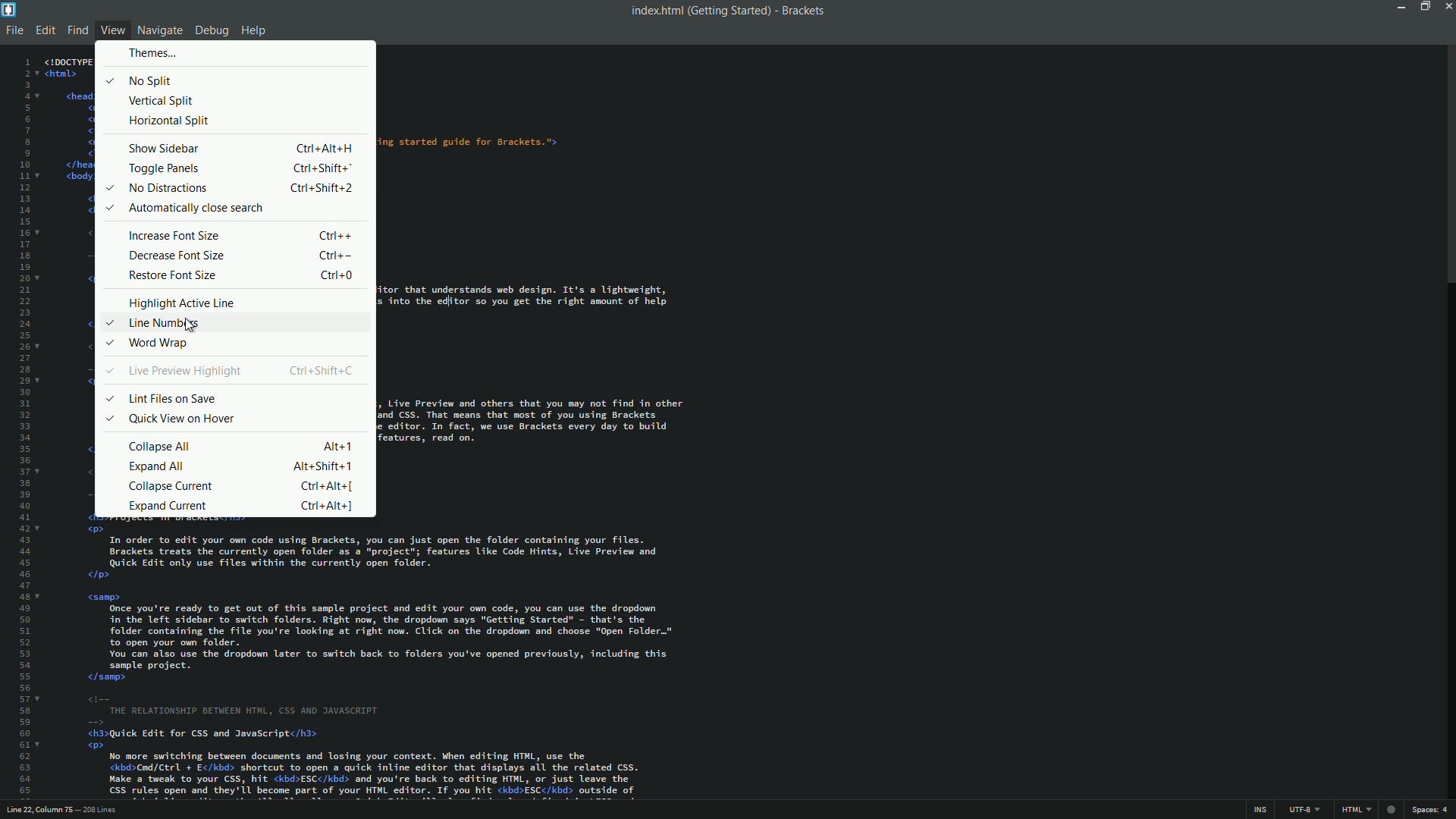  What do you see at coordinates (229, 188) in the screenshot?
I see `No Distractions Ctrl+Shift+2` at bounding box center [229, 188].